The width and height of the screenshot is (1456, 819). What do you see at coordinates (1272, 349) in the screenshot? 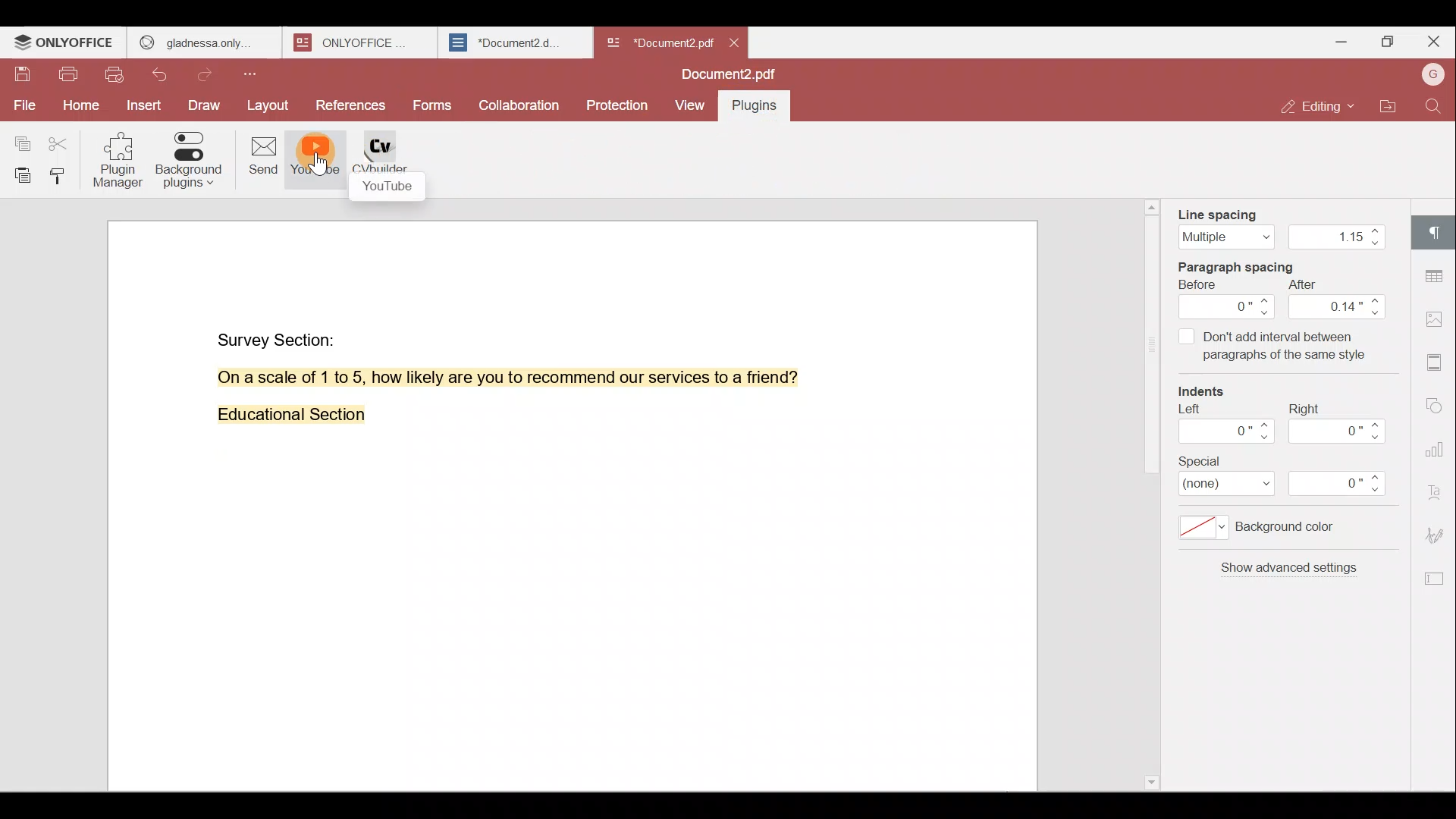
I see `Don't add interval between
paragraphs of the same style` at bounding box center [1272, 349].